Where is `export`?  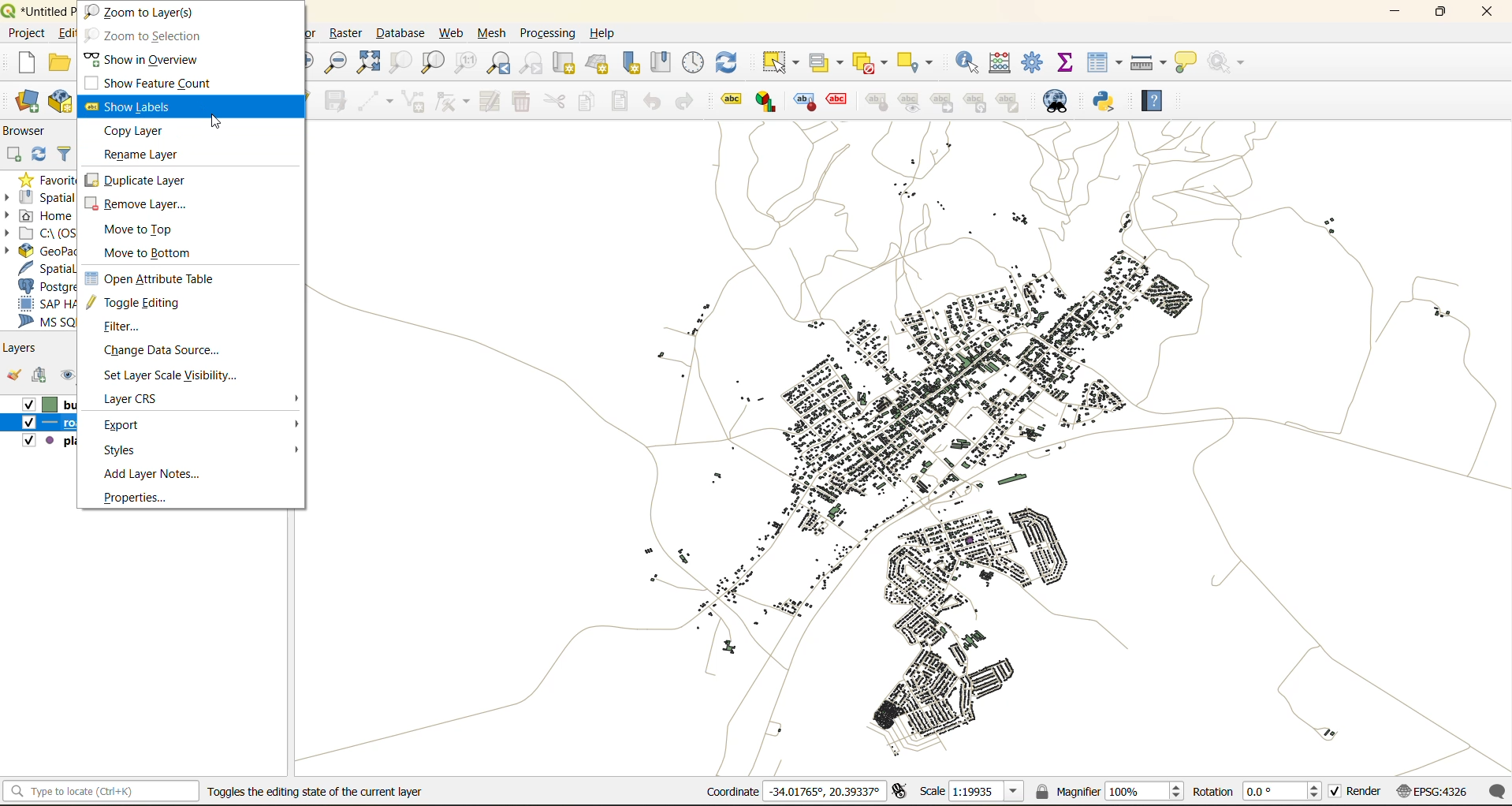 export is located at coordinates (128, 425).